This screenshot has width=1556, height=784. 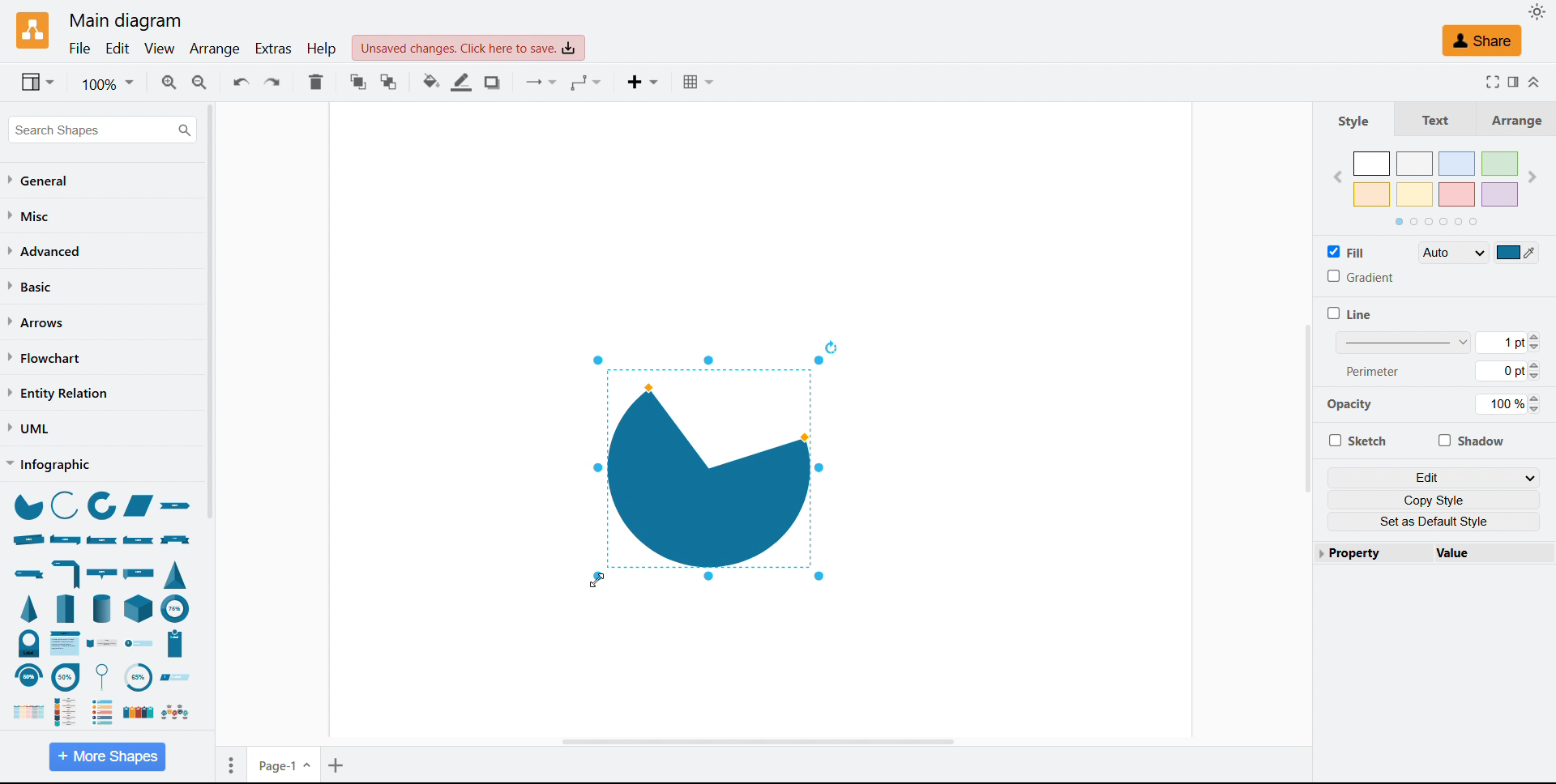 I want to click on Add page , so click(x=338, y=765).